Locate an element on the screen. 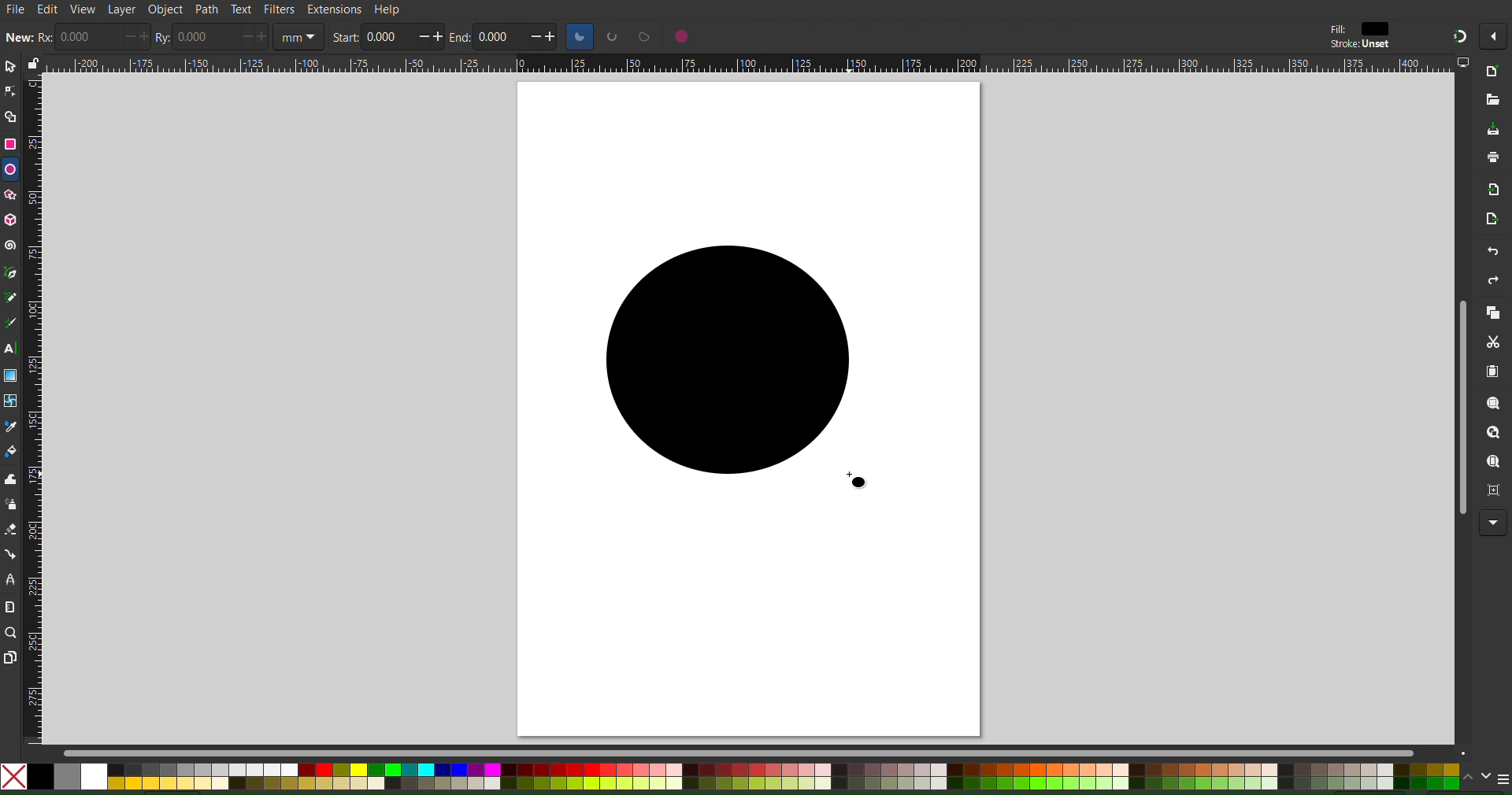 The height and width of the screenshot is (795, 1512). Help is located at coordinates (387, 9).